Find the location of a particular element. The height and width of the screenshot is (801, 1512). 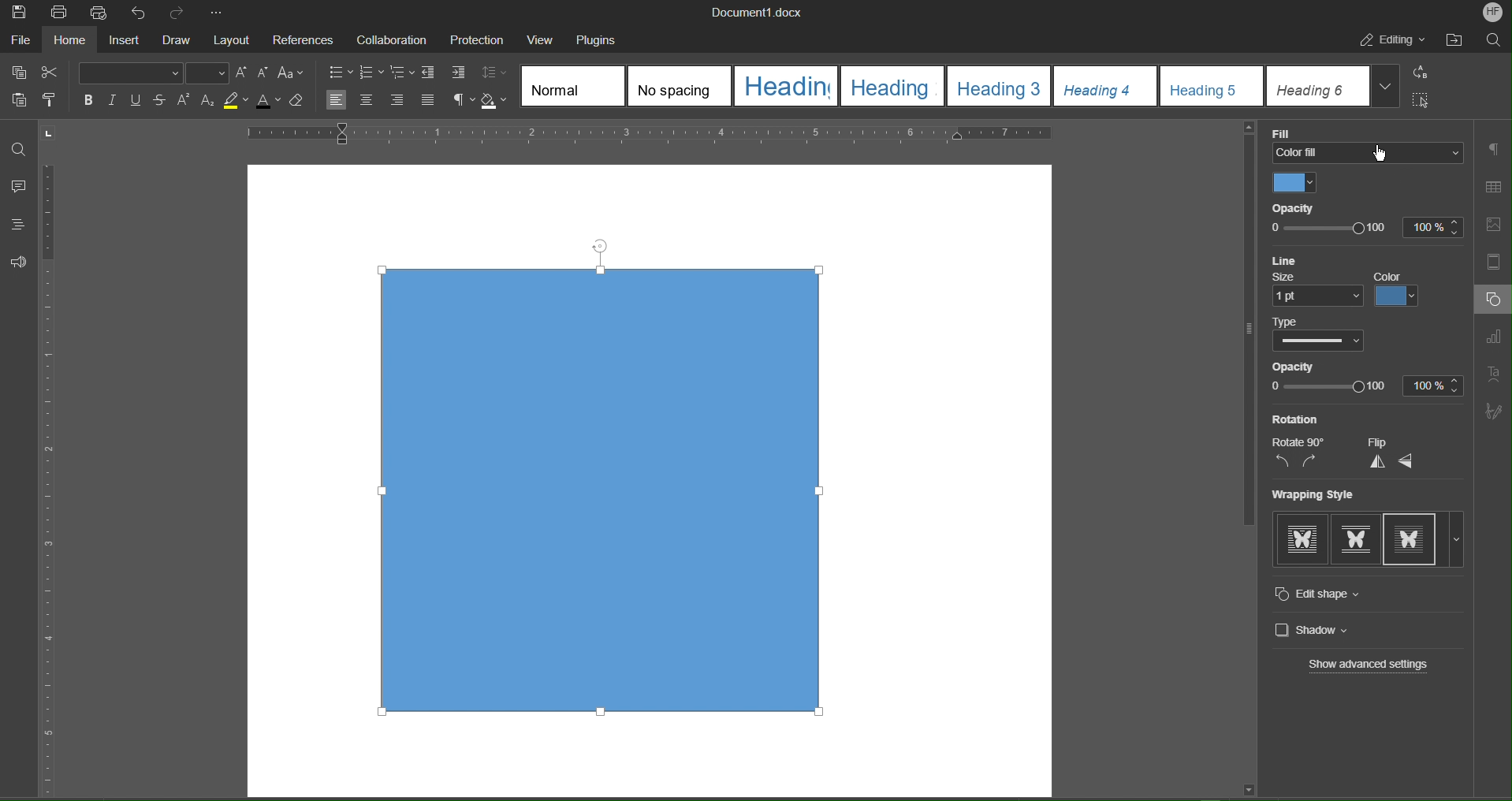

Rotate CW is located at coordinates (1316, 463).